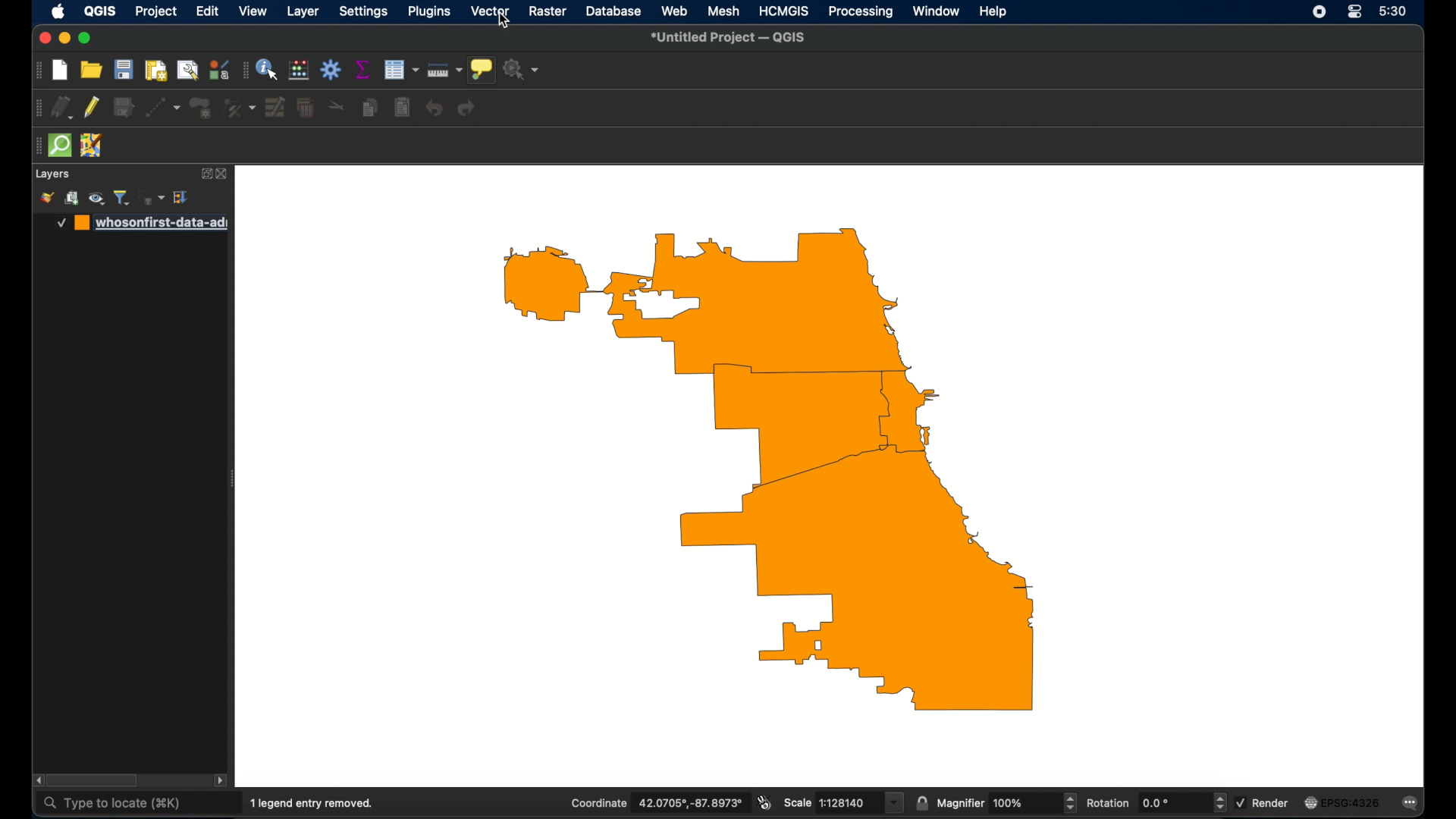 The image size is (1456, 819). What do you see at coordinates (254, 11) in the screenshot?
I see `view` at bounding box center [254, 11].